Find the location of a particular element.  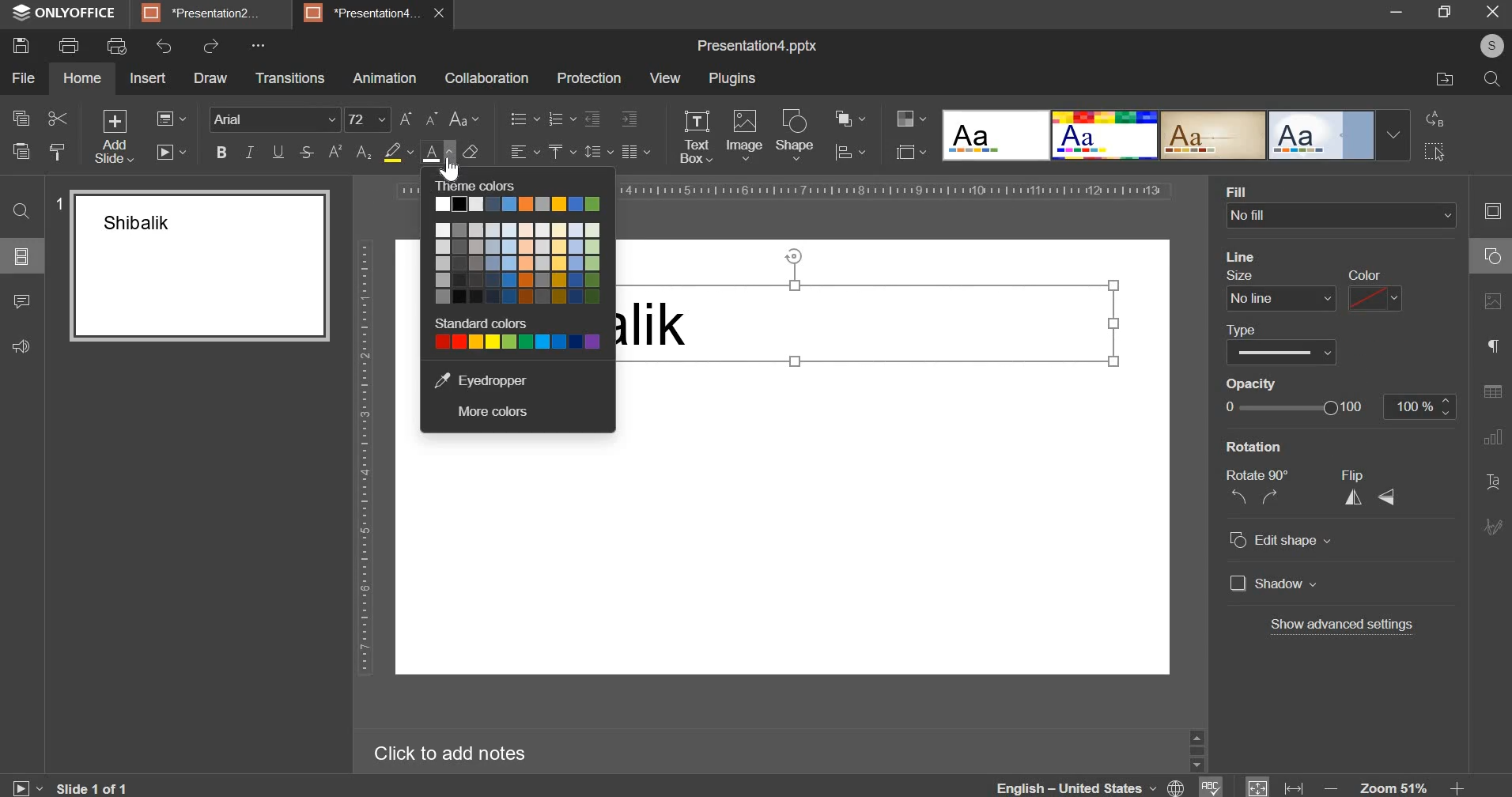

ONLYOFFICE is located at coordinates (81, 14).